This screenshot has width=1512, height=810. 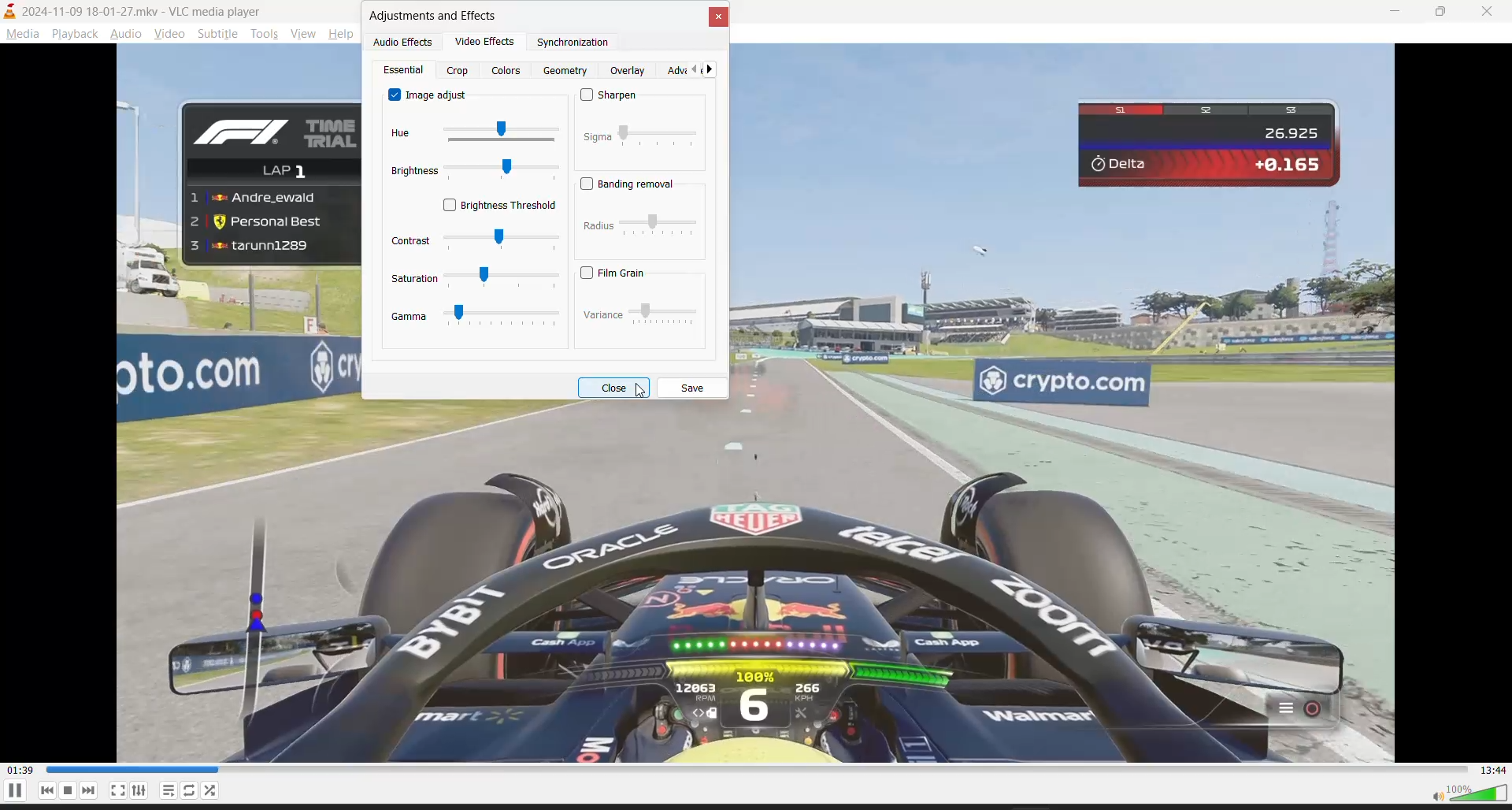 I want to click on stop, so click(x=67, y=790).